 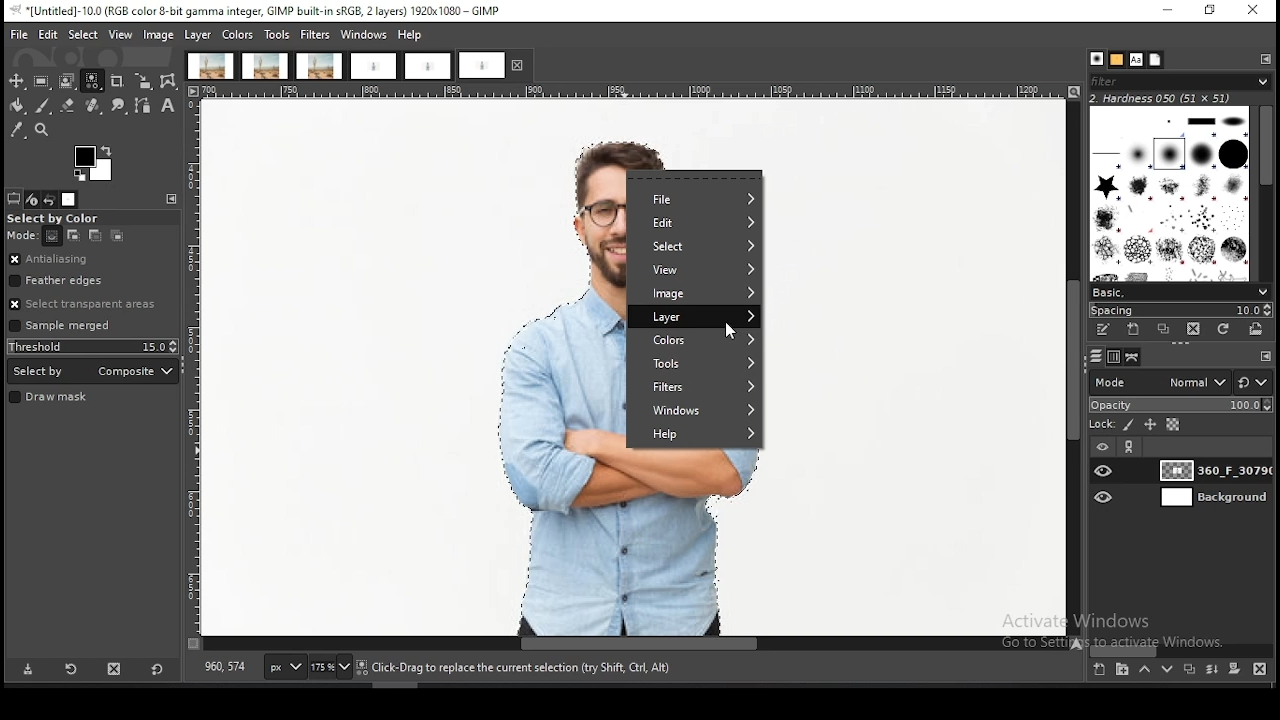 I want to click on brushes, so click(x=1171, y=193).